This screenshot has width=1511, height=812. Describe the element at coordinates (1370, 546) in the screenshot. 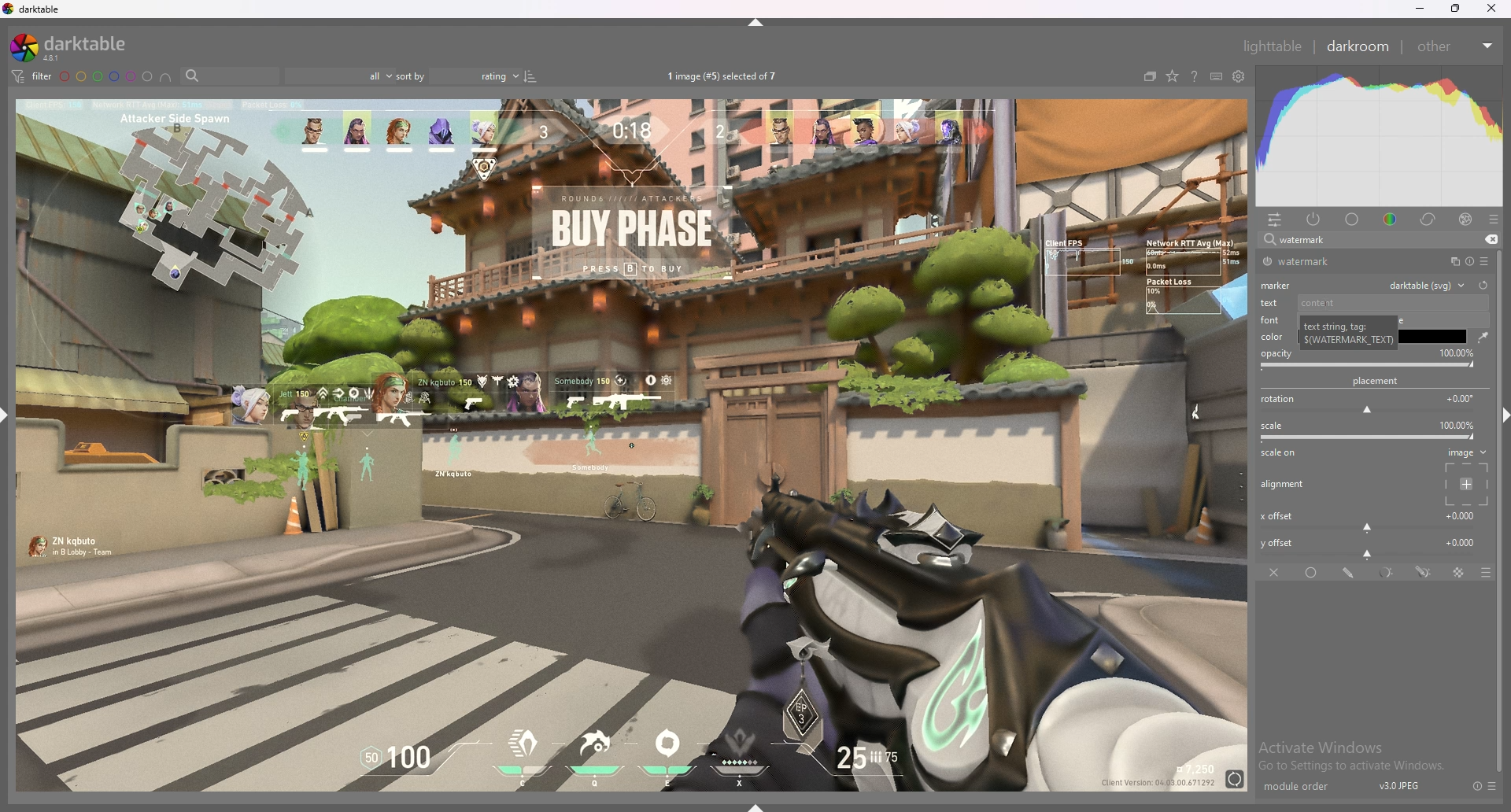

I see `y offset` at that location.